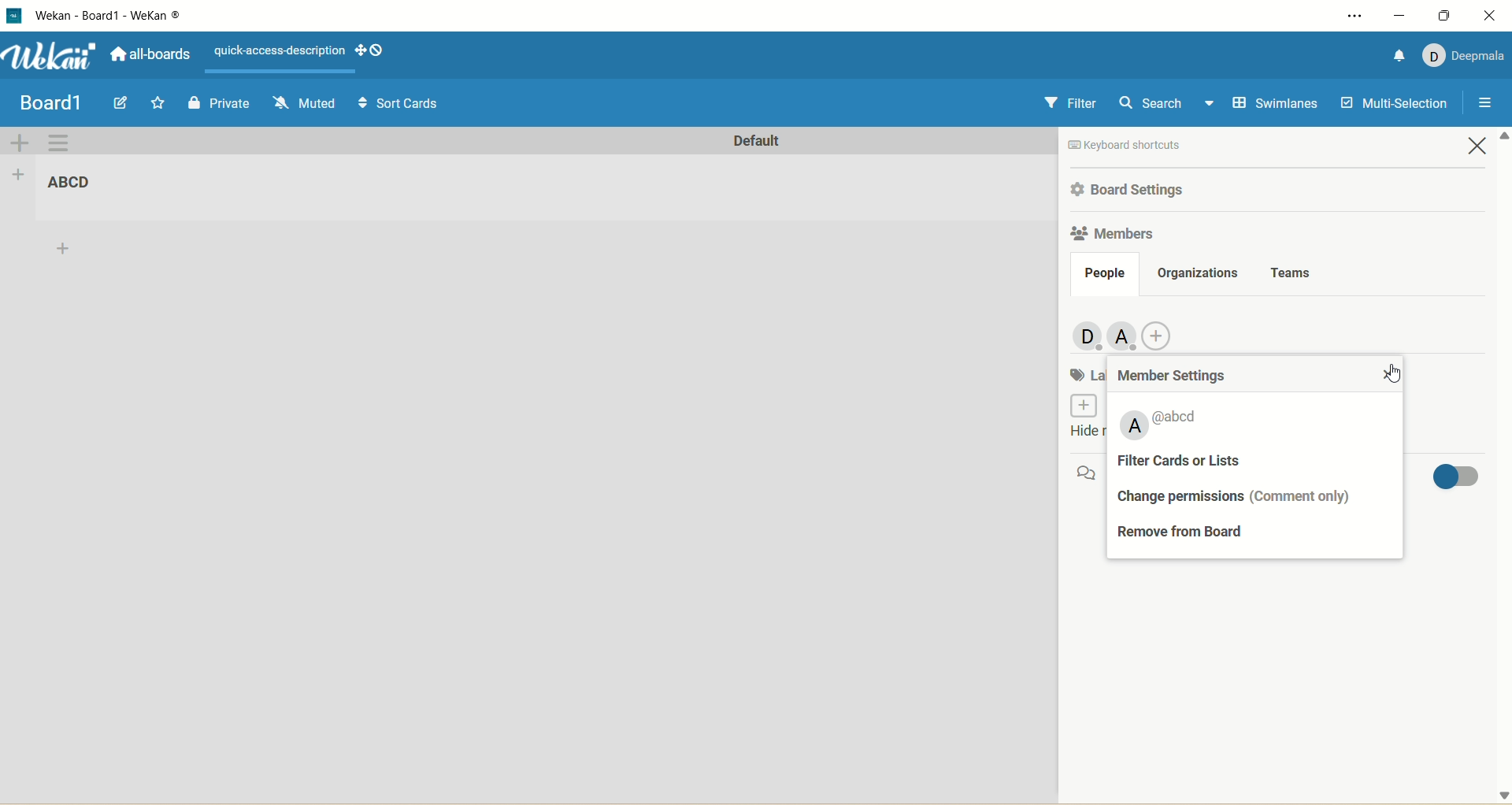  What do you see at coordinates (76, 184) in the screenshot?
I see `title` at bounding box center [76, 184].